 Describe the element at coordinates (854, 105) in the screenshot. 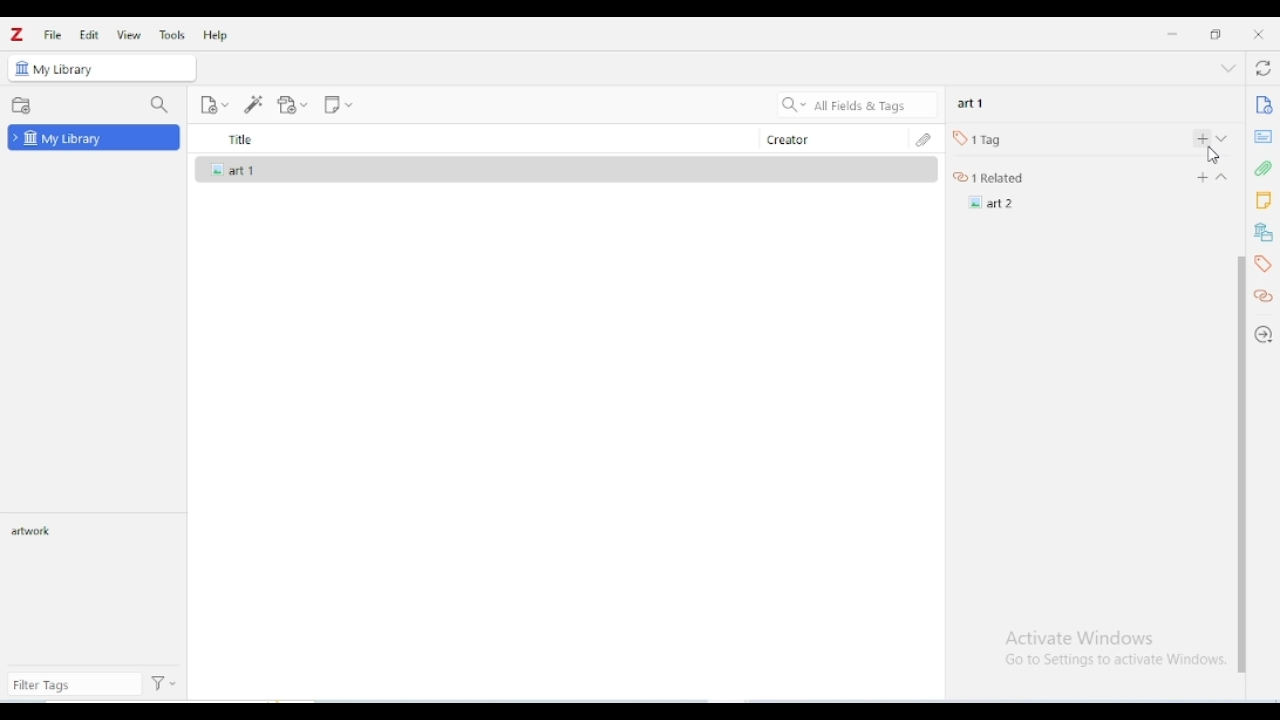

I see `search all fields & tags` at that location.